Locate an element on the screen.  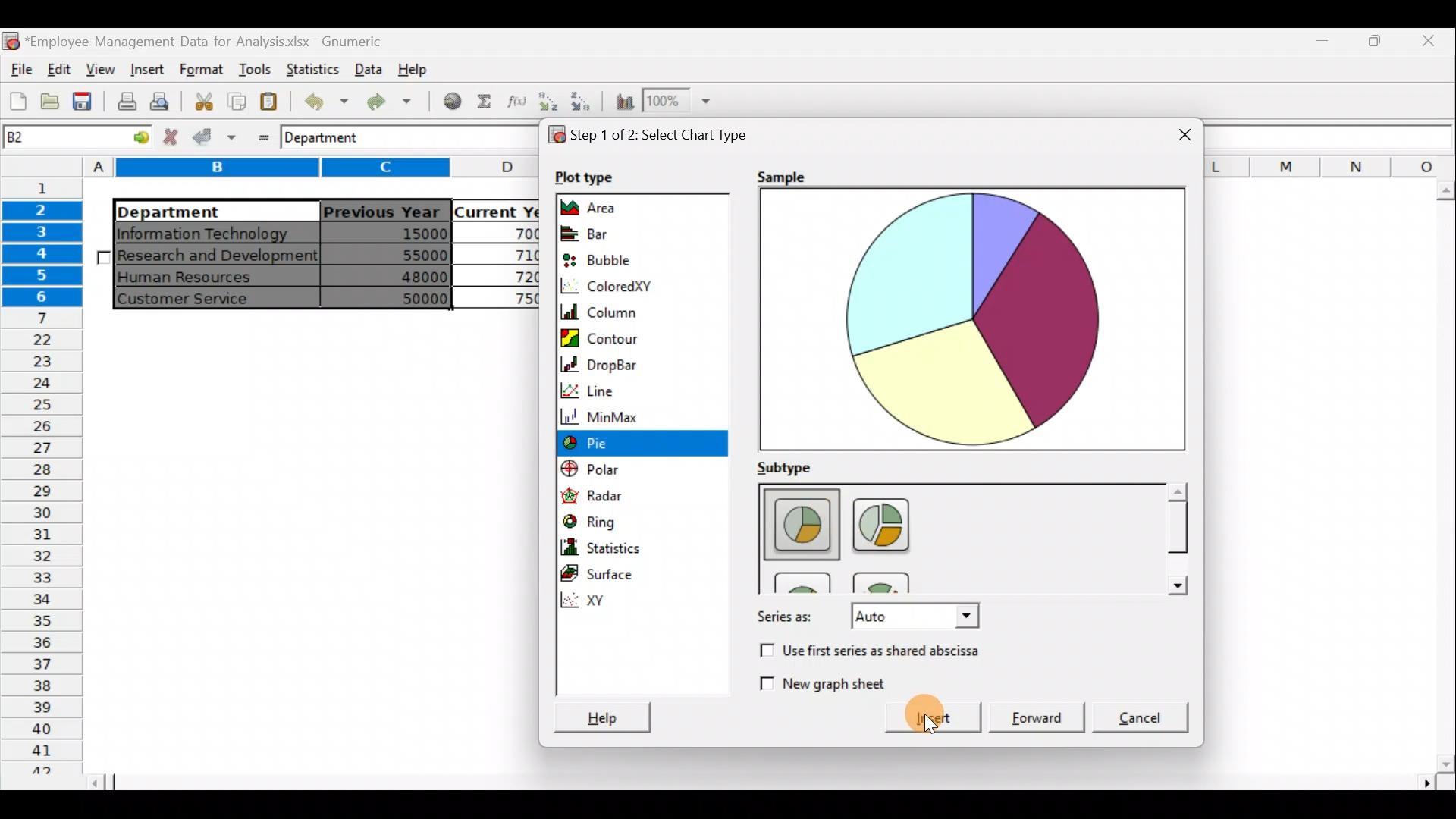
Research and Development is located at coordinates (218, 257).